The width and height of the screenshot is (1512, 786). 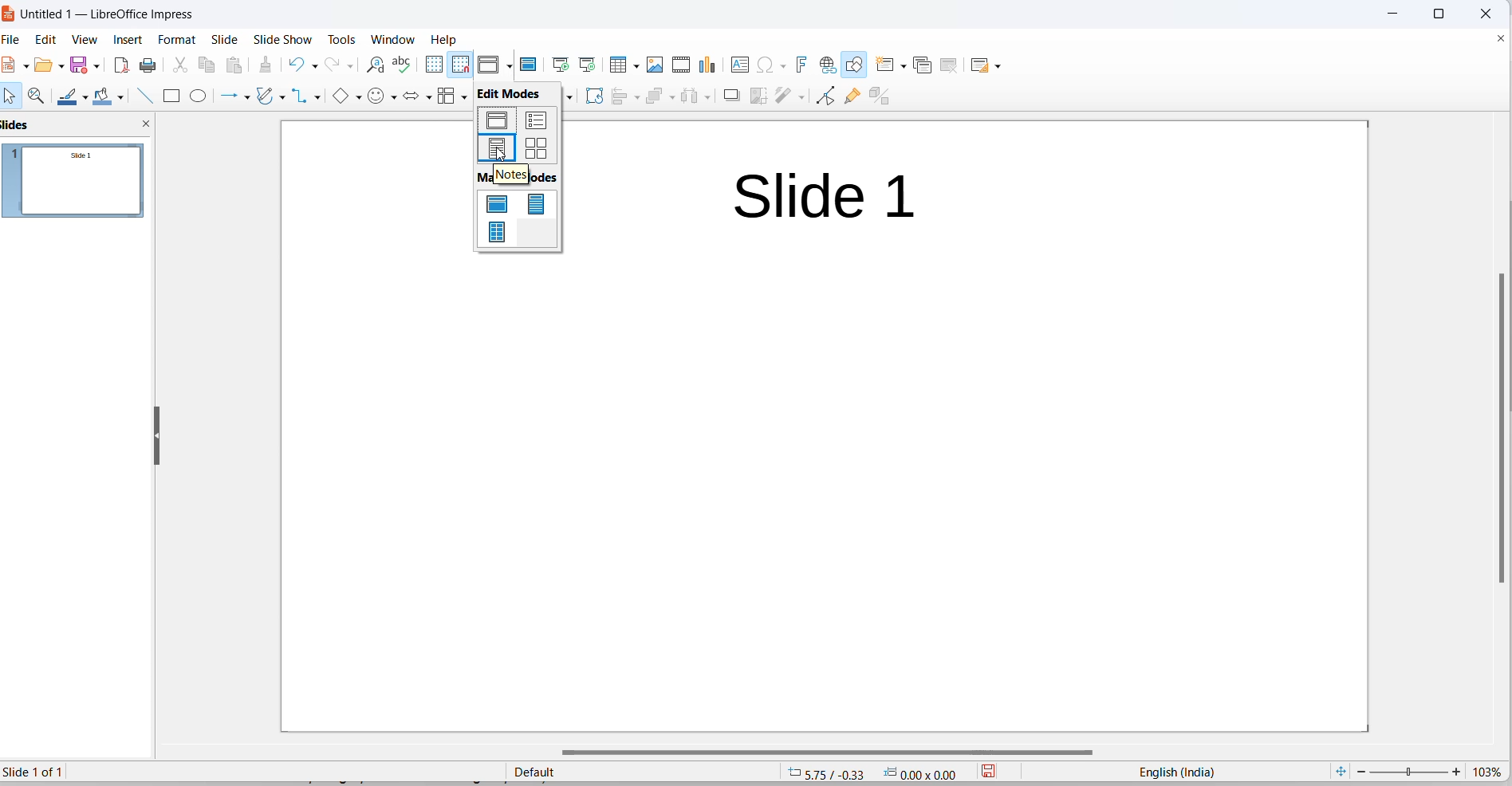 What do you see at coordinates (741, 65) in the screenshot?
I see `insert text` at bounding box center [741, 65].